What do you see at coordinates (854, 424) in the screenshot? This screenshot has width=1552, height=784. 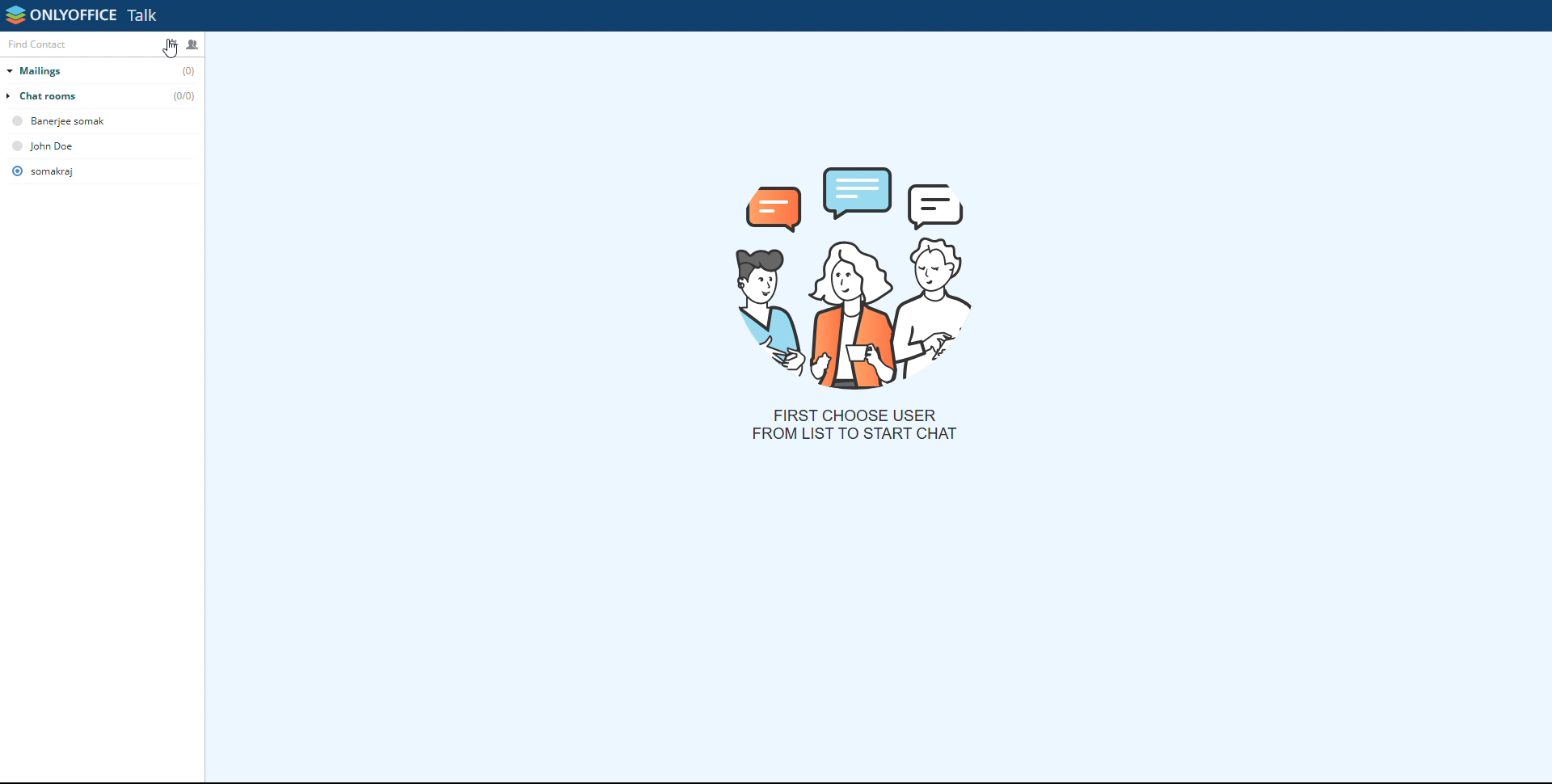 I see `first choose user from list to start chat` at bounding box center [854, 424].